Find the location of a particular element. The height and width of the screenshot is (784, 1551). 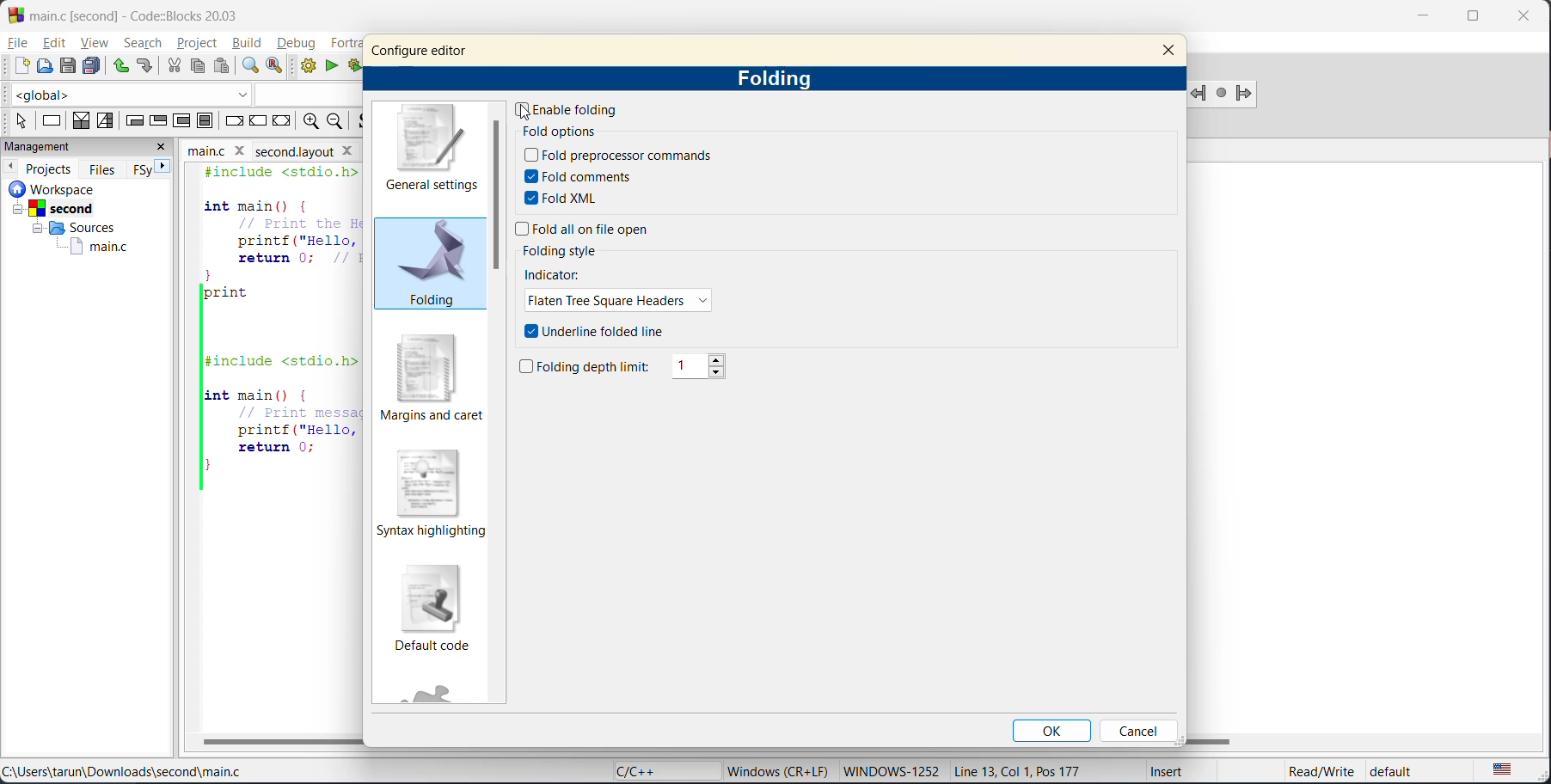

Second layout is located at coordinates (316, 149).